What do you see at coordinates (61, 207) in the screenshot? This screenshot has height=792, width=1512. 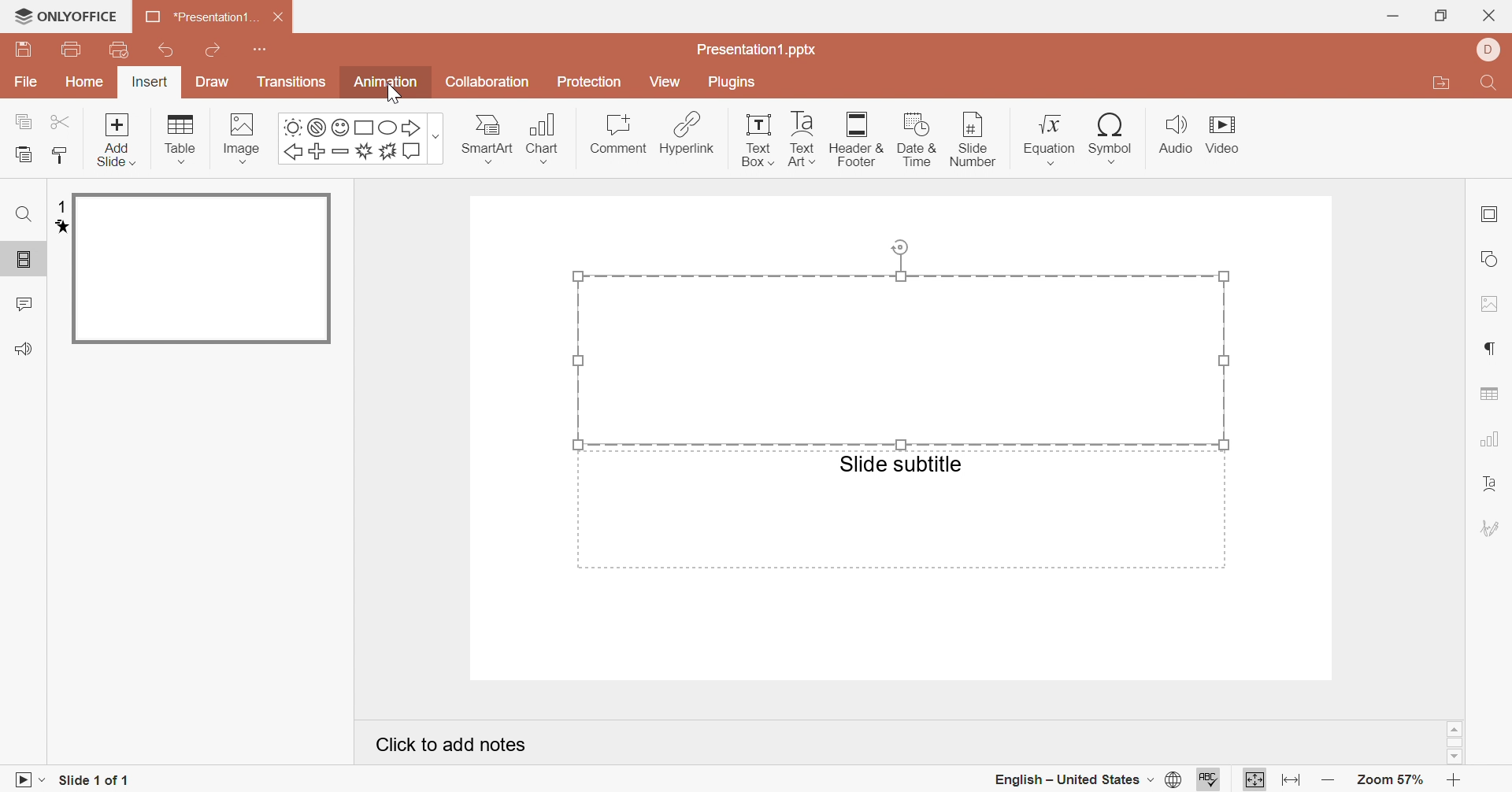 I see `1` at bounding box center [61, 207].